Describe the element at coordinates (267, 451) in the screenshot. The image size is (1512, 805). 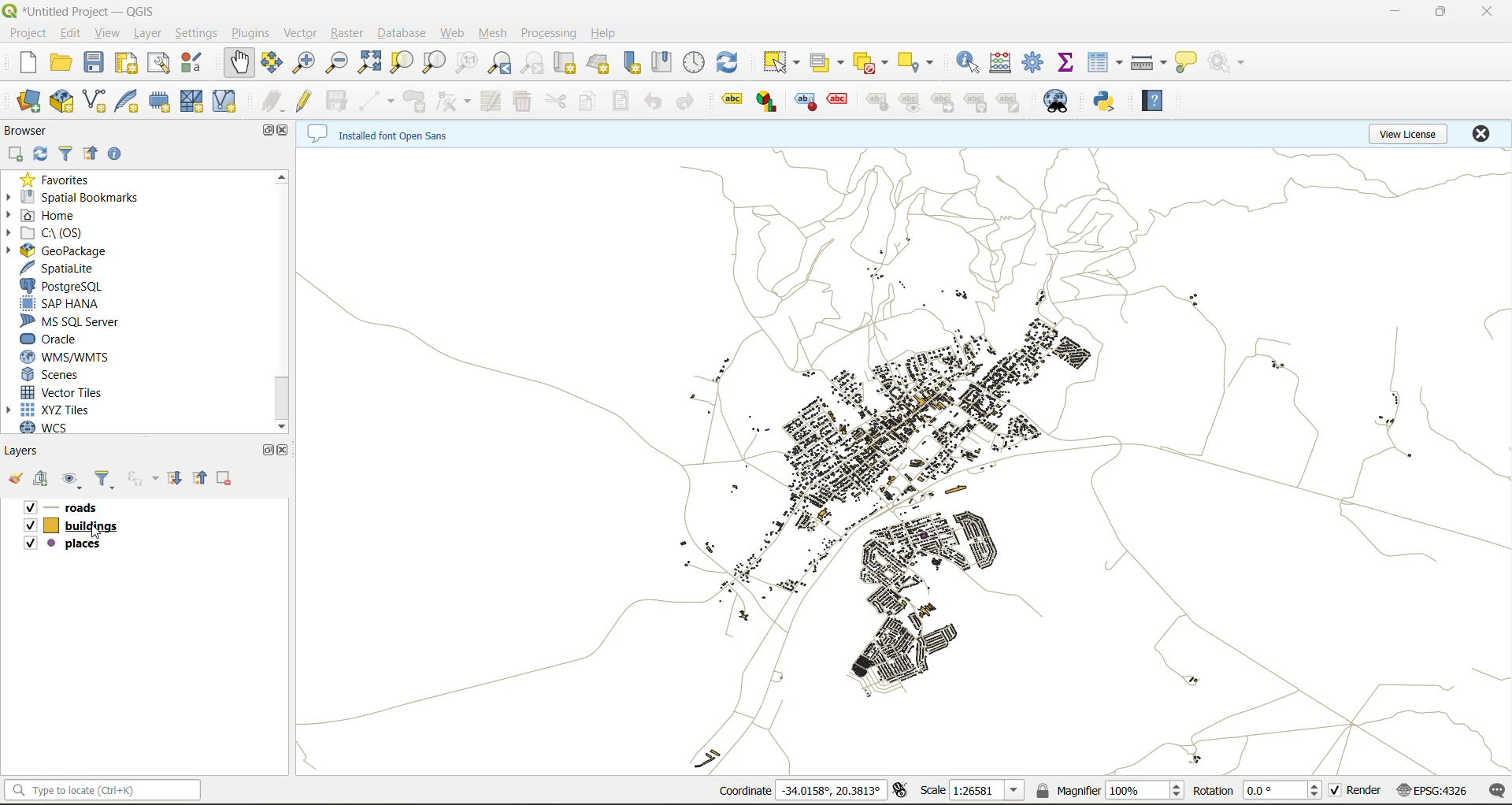
I see `maximize` at that location.